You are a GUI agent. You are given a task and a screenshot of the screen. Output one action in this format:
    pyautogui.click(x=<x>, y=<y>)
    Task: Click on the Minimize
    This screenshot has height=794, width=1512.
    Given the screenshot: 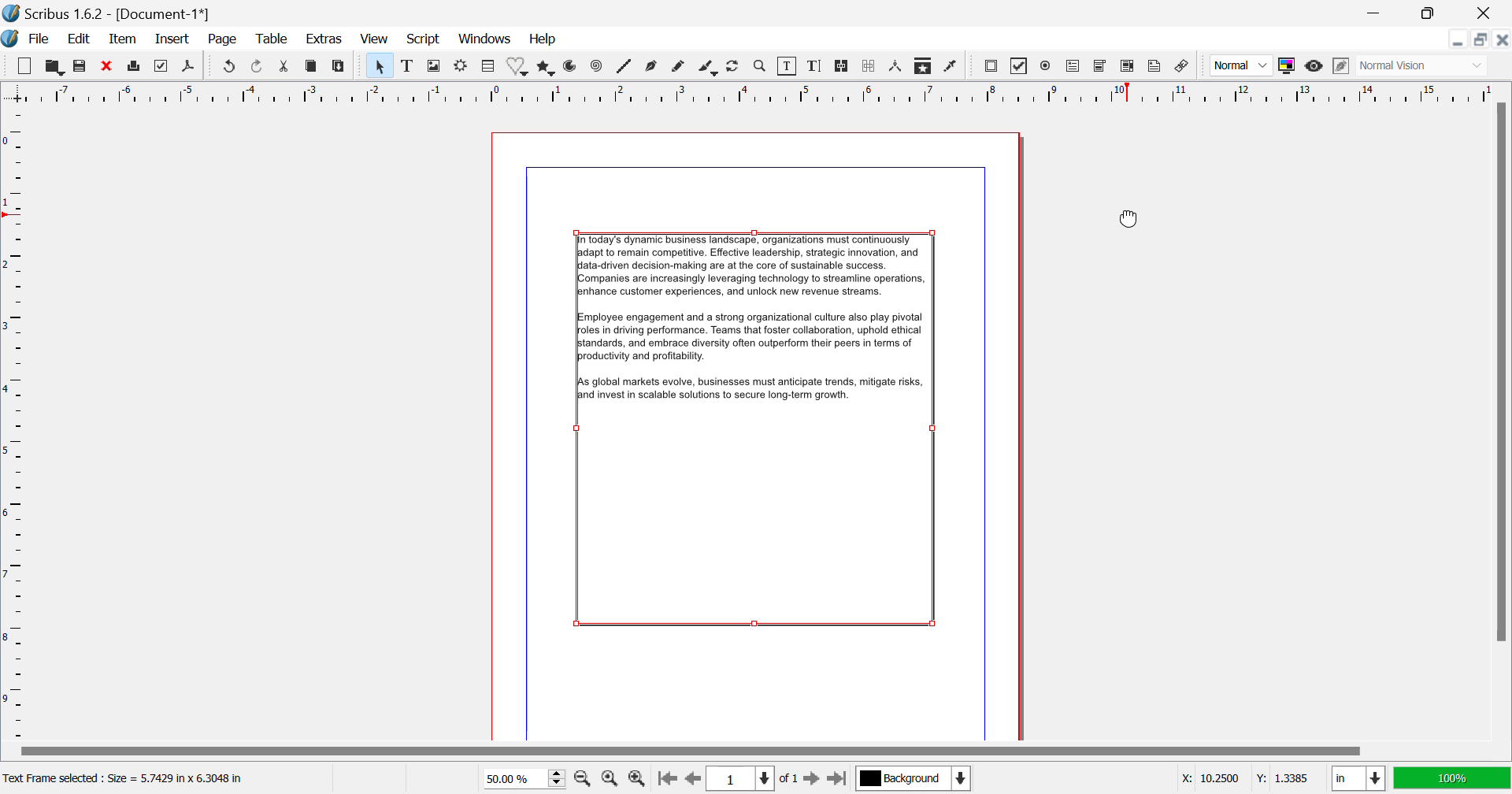 What is the action you would take?
    pyautogui.click(x=1480, y=40)
    